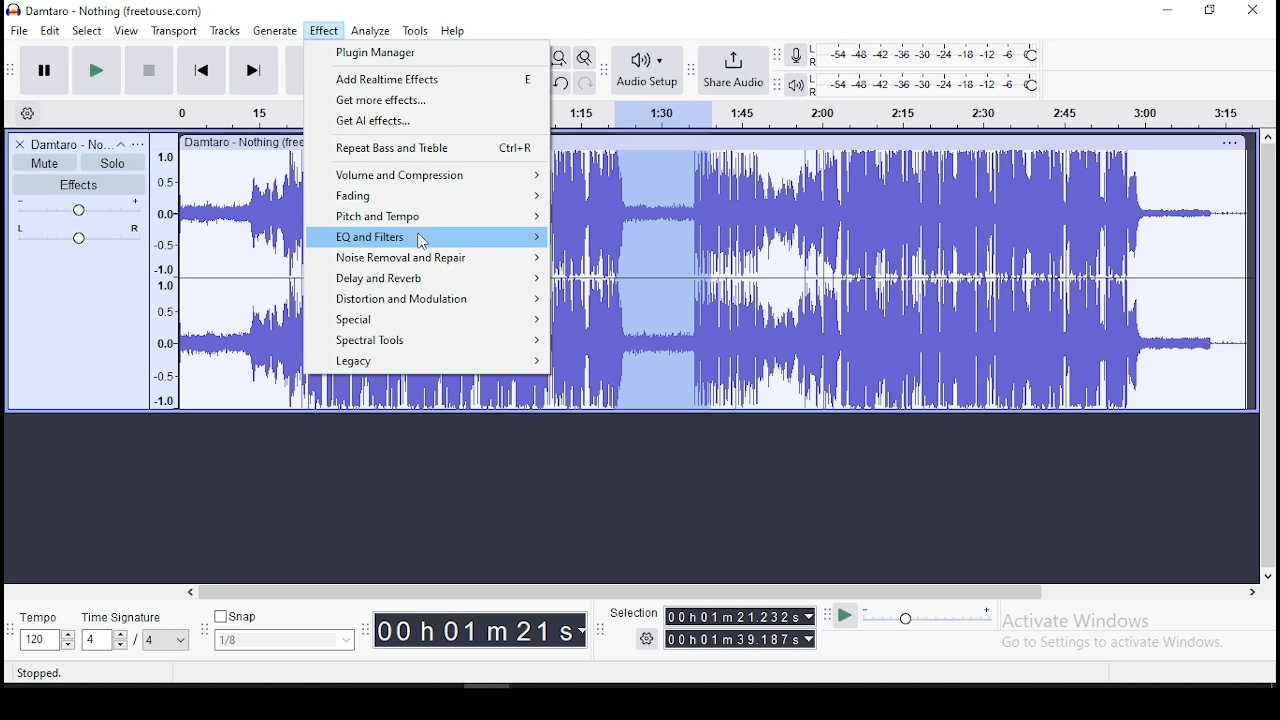 This screenshot has height=720, width=1280. Describe the element at coordinates (1229, 142) in the screenshot. I see `` at that location.